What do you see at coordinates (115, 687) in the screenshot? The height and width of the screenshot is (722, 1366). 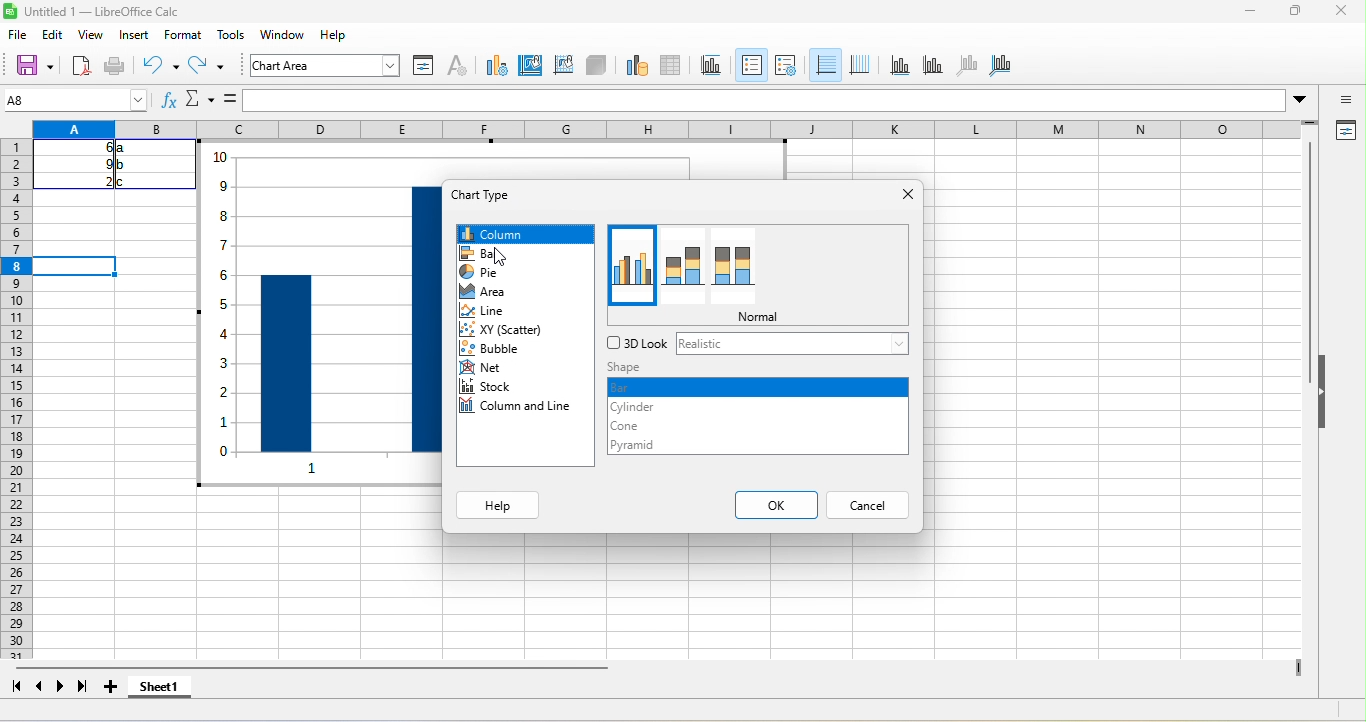 I see `add new sheet` at bounding box center [115, 687].